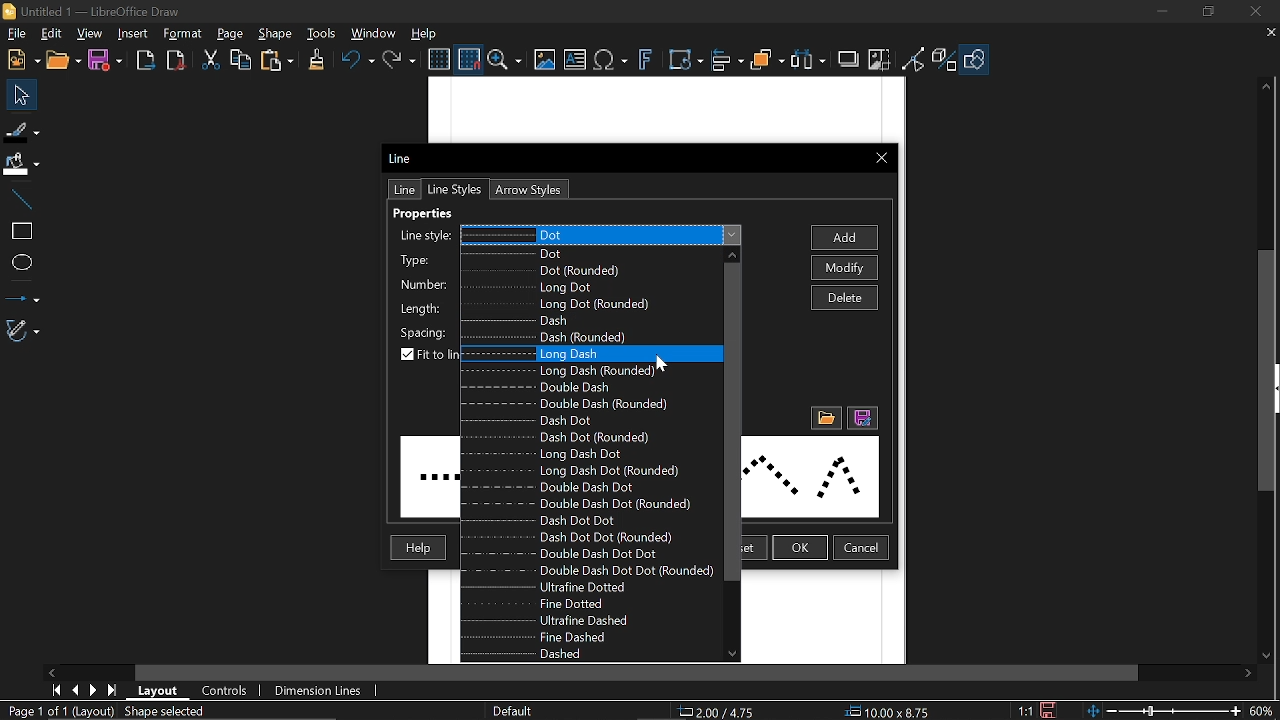 This screenshot has height=720, width=1280. What do you see at coordinates (589, 471) in the screenshot?
I see `Long dash dot (rounded)` at bounding box center [589, 471].